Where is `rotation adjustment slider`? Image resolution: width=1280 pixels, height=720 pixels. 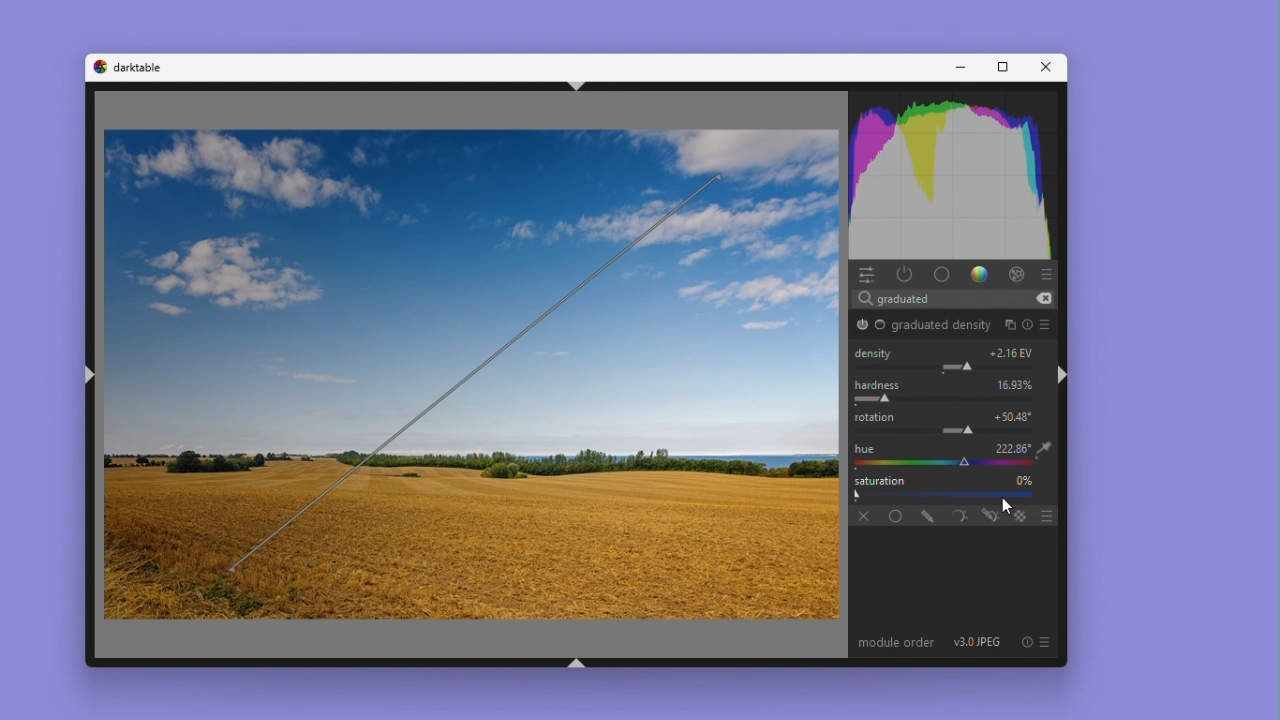
rotation adjustment slider is located at coordinates (958, 430).